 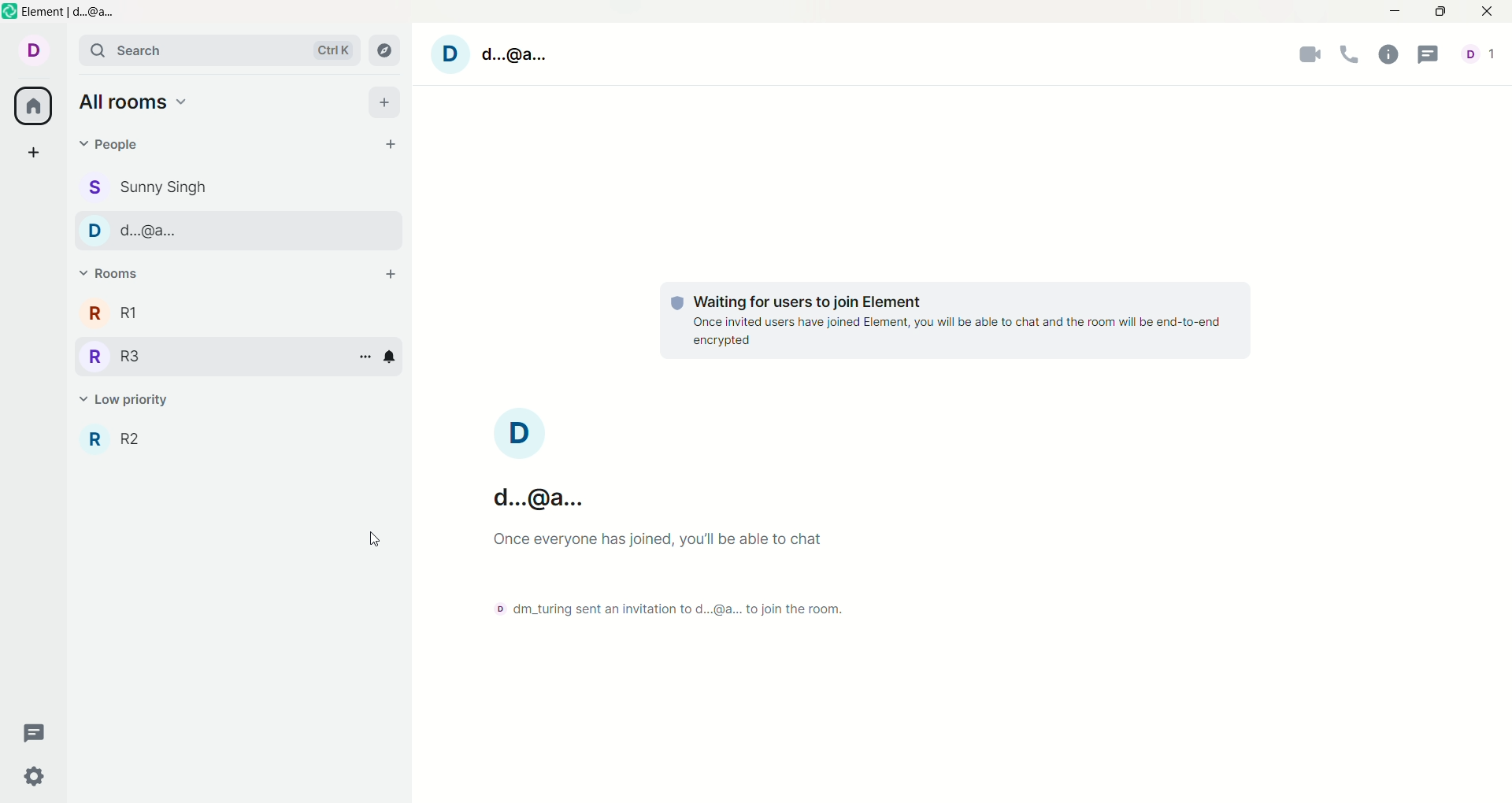 What do you see at coordinates (135, 399) in the screenshot?
I see `low priority` at bounding box center [135, 399].